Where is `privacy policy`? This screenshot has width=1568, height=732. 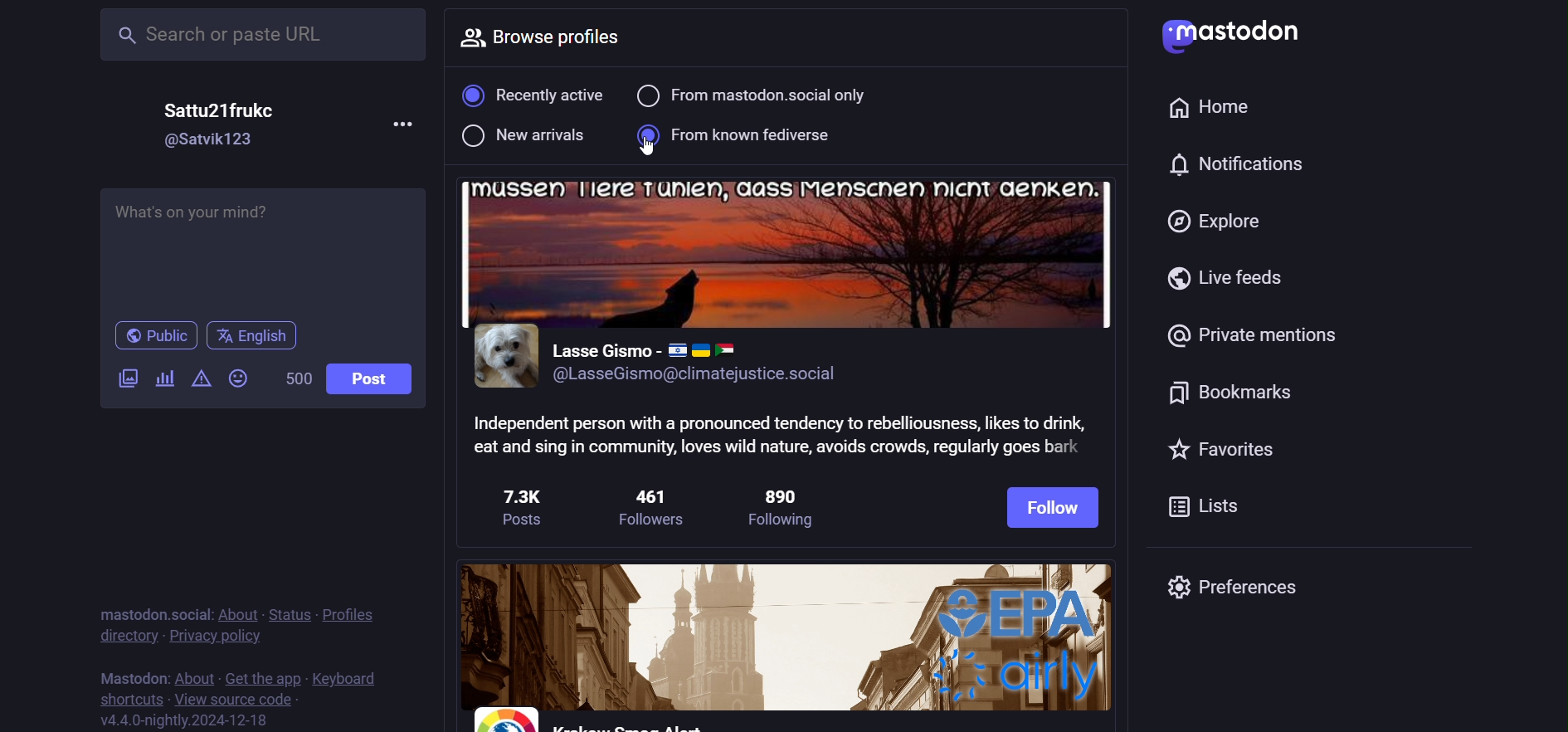 privacy policy is located at coordinates (212, 633).